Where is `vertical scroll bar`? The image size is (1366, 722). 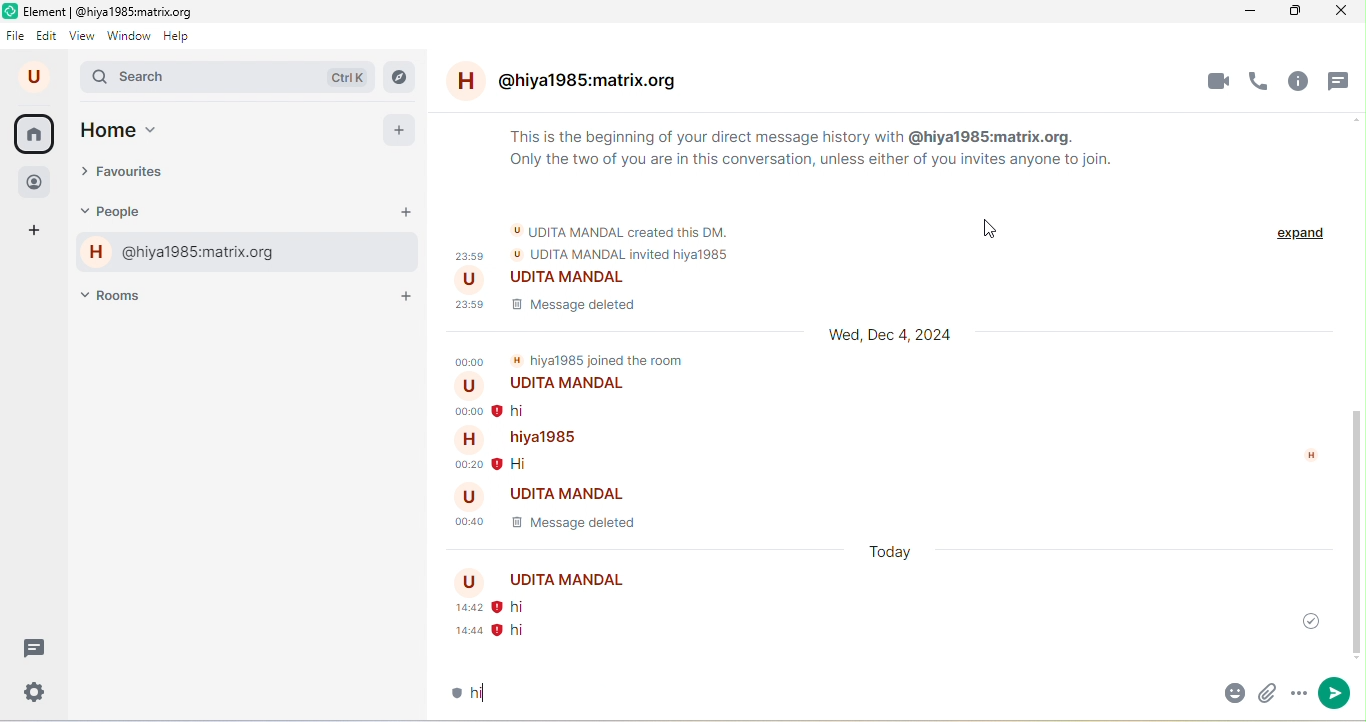
vertical scroll bar is located at coordinates (1354, 532).